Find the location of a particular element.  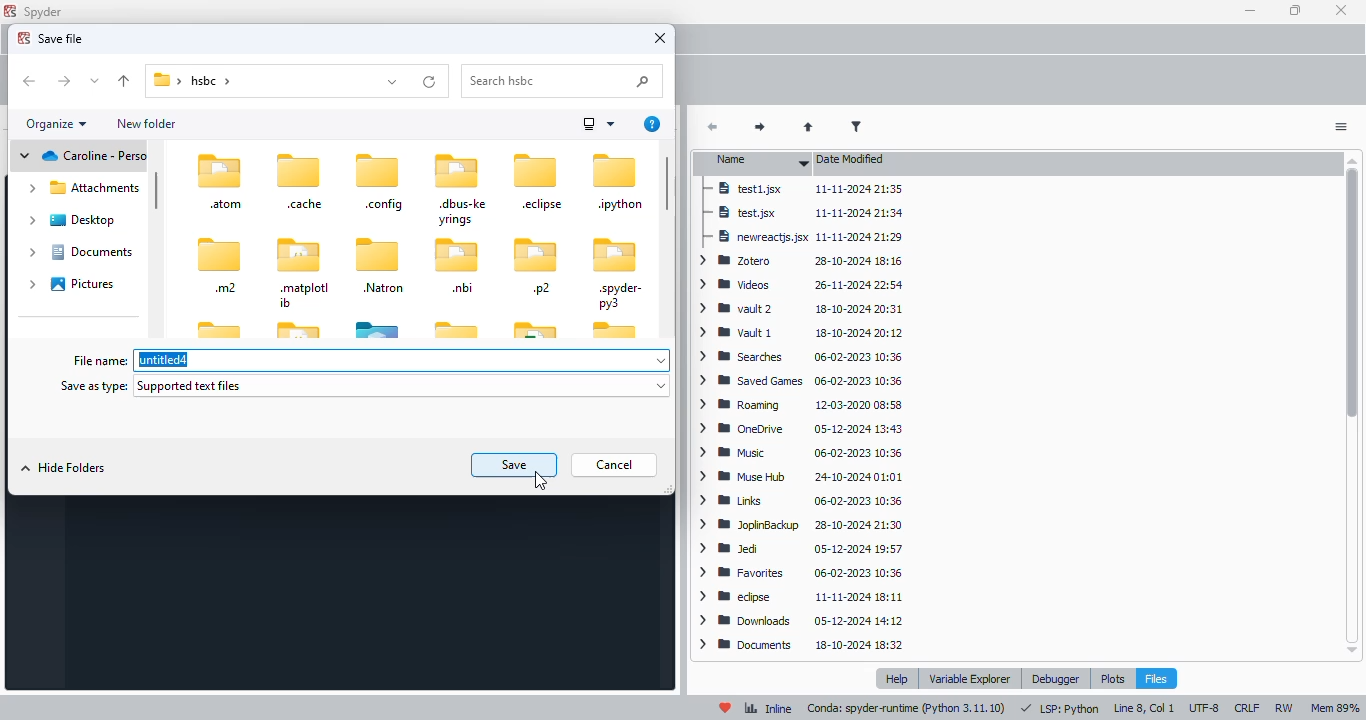

spyder is located at coordinates (44, 12).